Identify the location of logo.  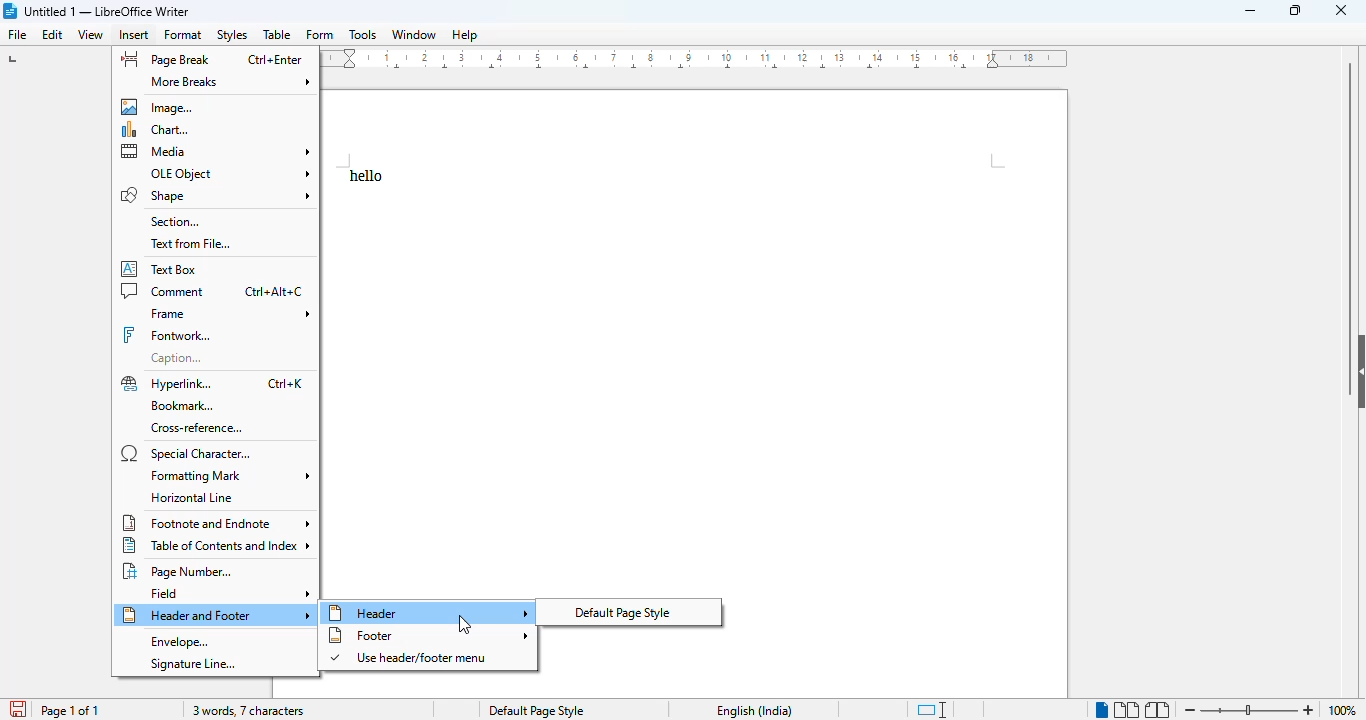
(9, 11).